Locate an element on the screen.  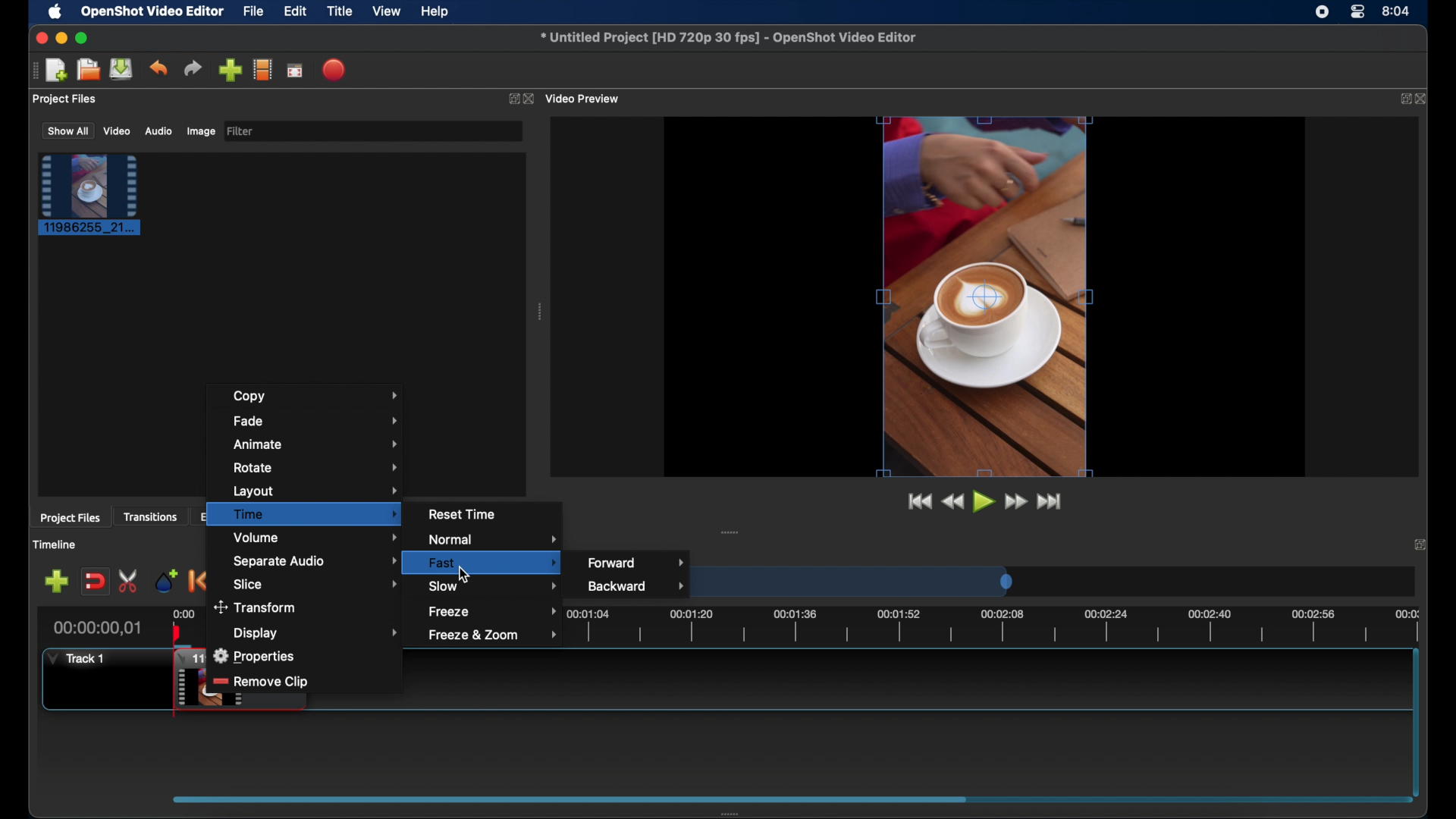
audio is located at coordinates (158, 130).